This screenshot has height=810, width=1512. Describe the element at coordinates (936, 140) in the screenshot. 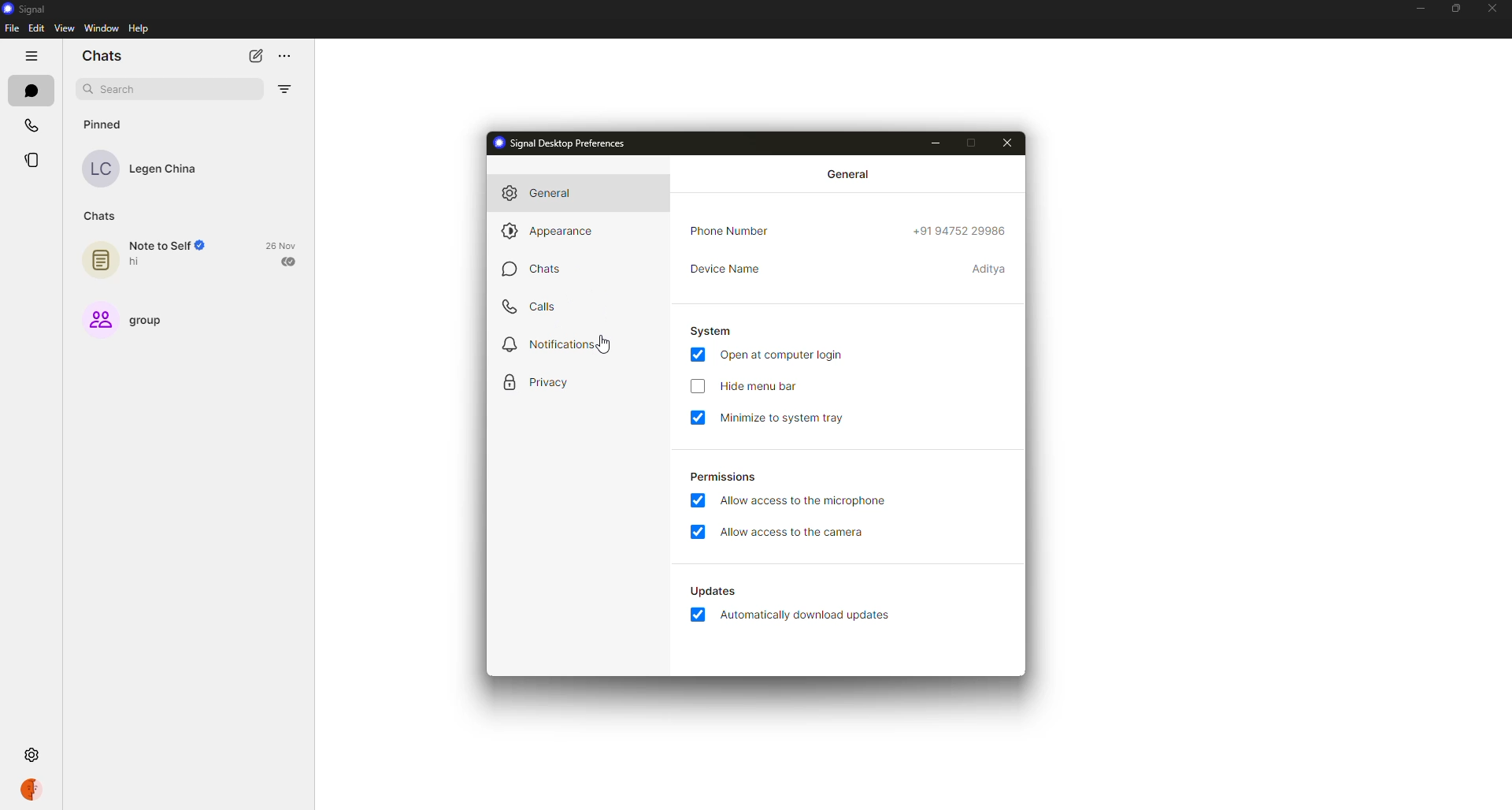

I see `minimize` at that location.